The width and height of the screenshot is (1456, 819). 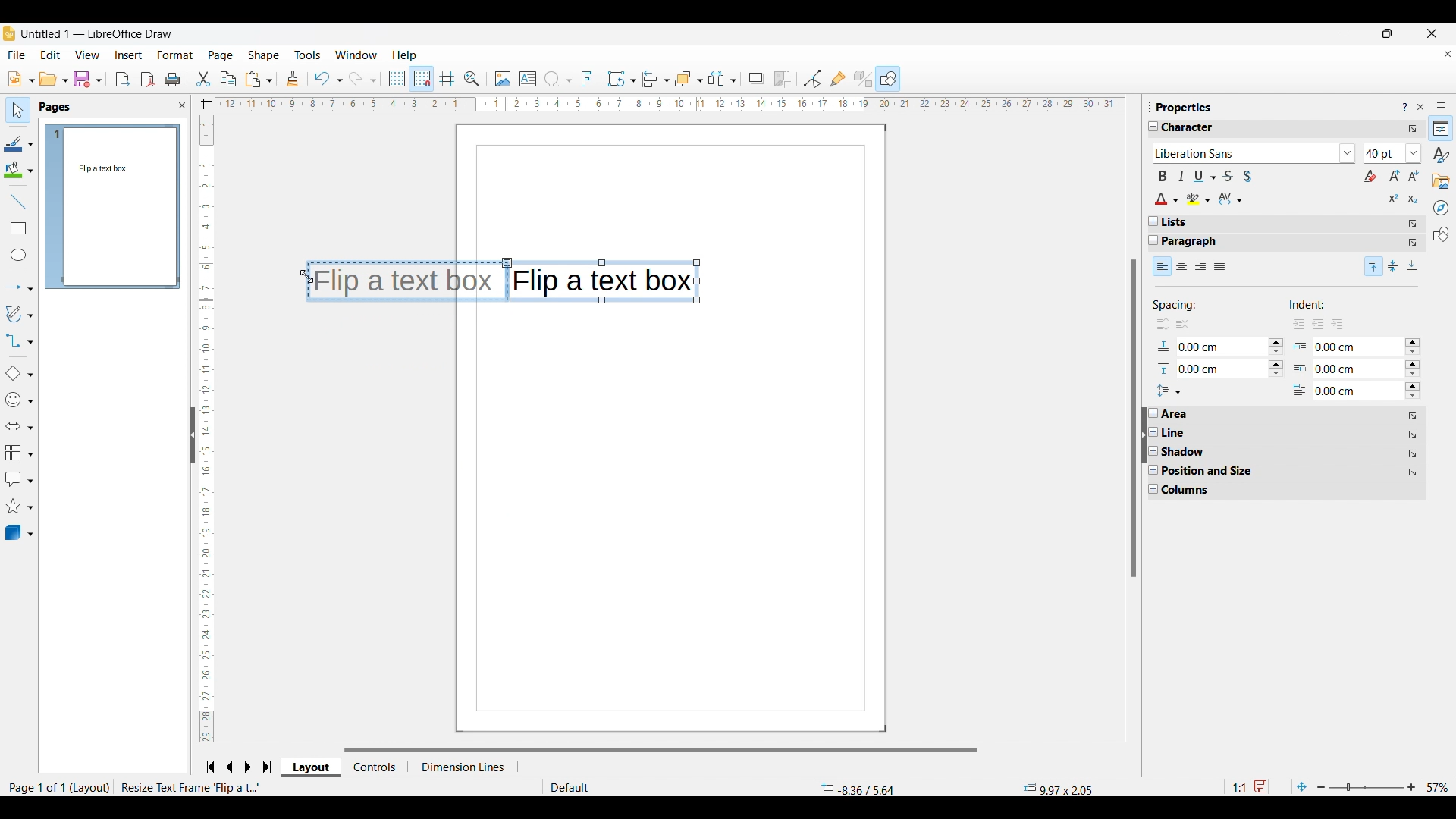 What do you see at coordinates (1440, 128) in the screenshot?
I see `Properties, current sidebar highlighted` at bounding box center [1440, 128].